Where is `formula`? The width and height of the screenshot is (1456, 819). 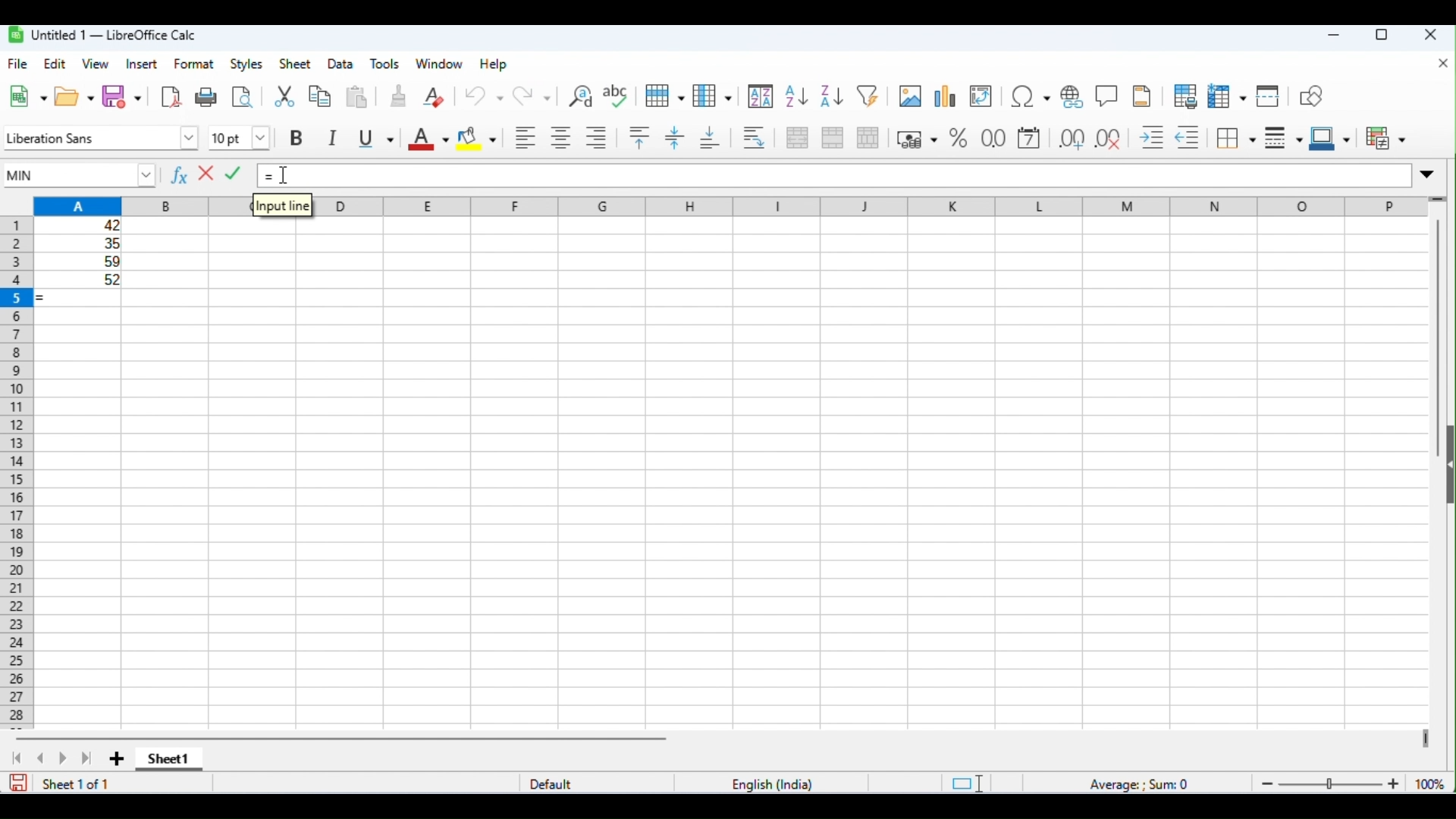
formula is located at coordinates (1141, 782).